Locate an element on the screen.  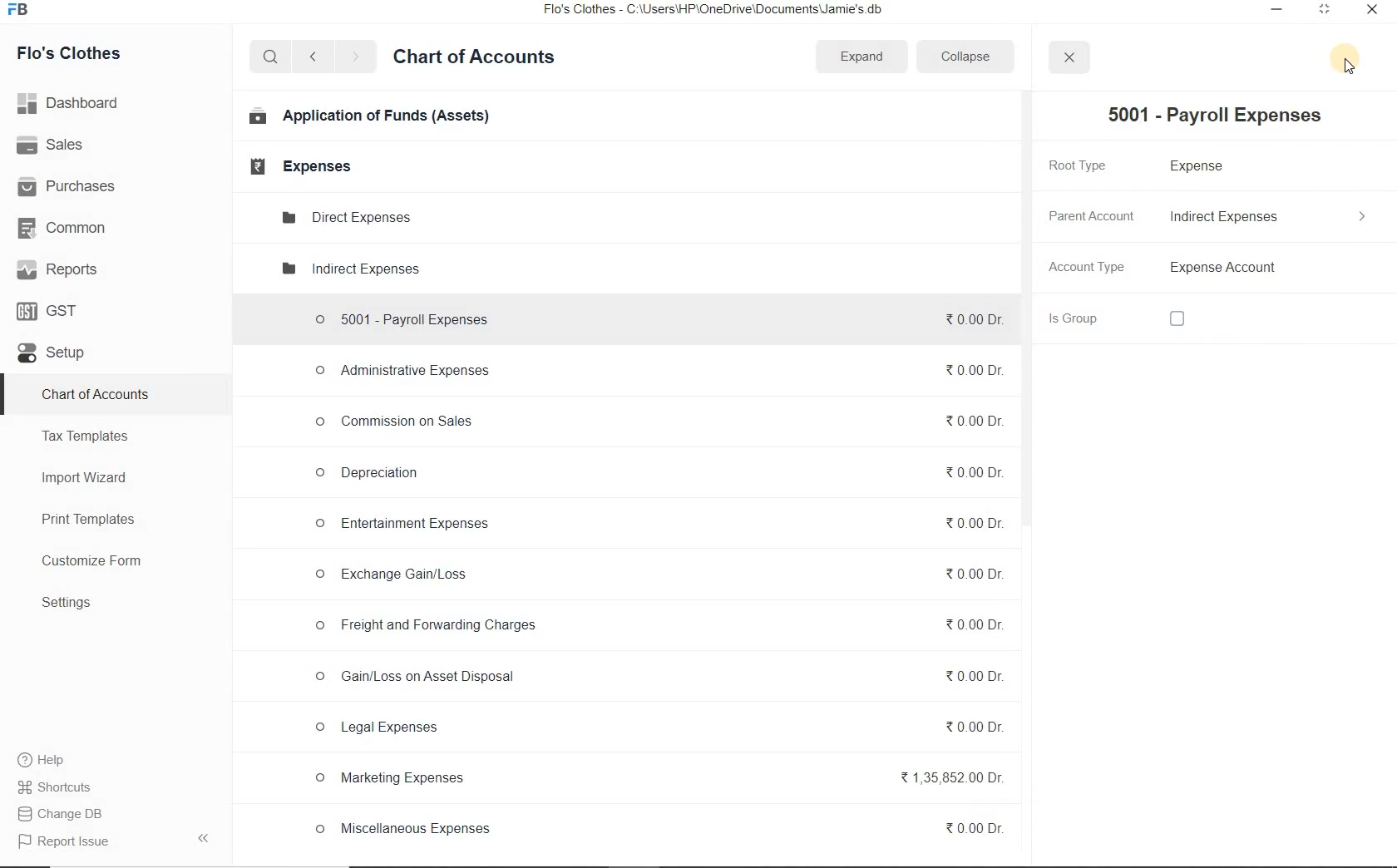
frappe books logo is located at coordinates (22, 11).